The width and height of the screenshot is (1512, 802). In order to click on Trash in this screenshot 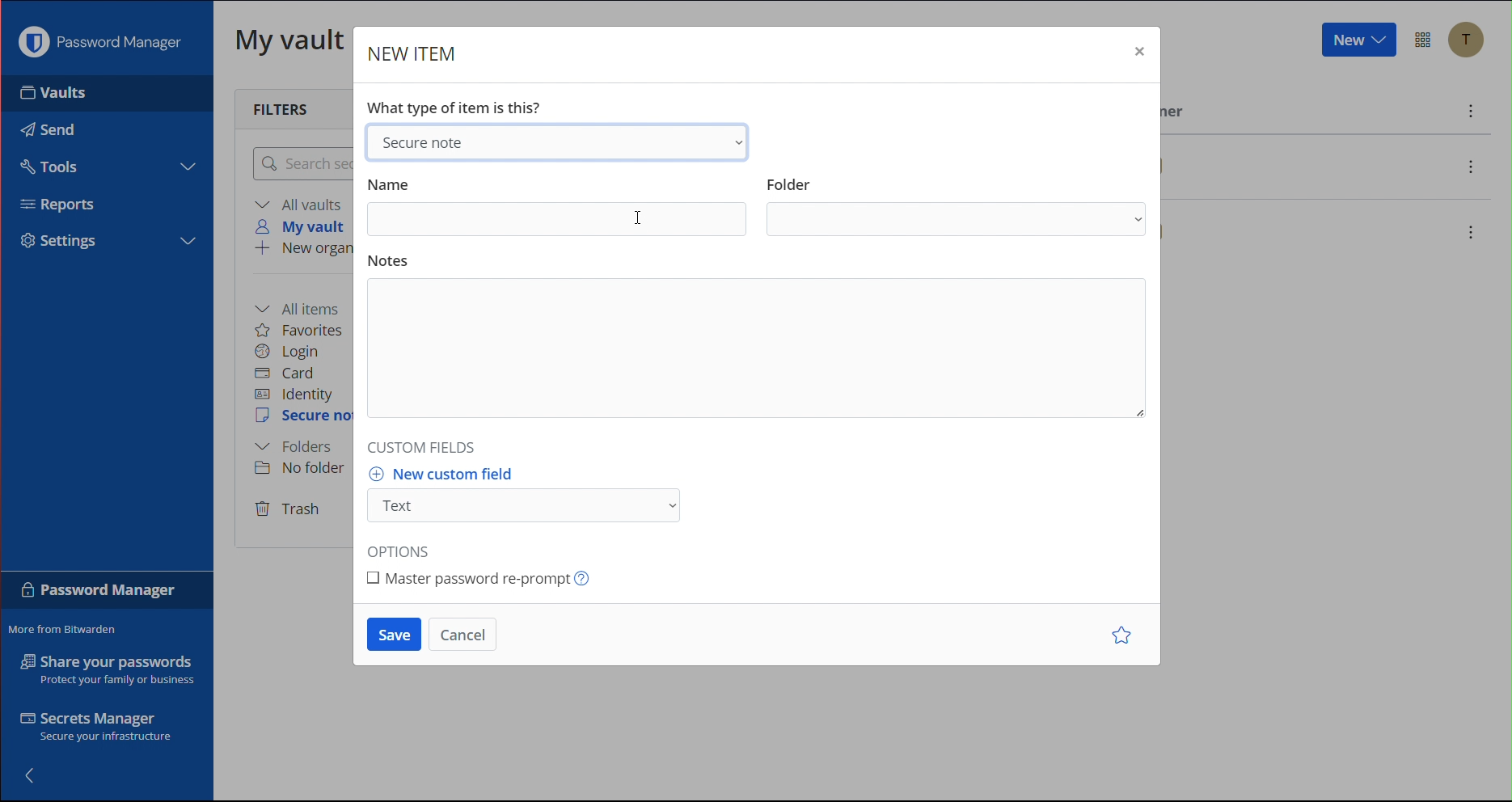, I will do `click(290, 510)`.